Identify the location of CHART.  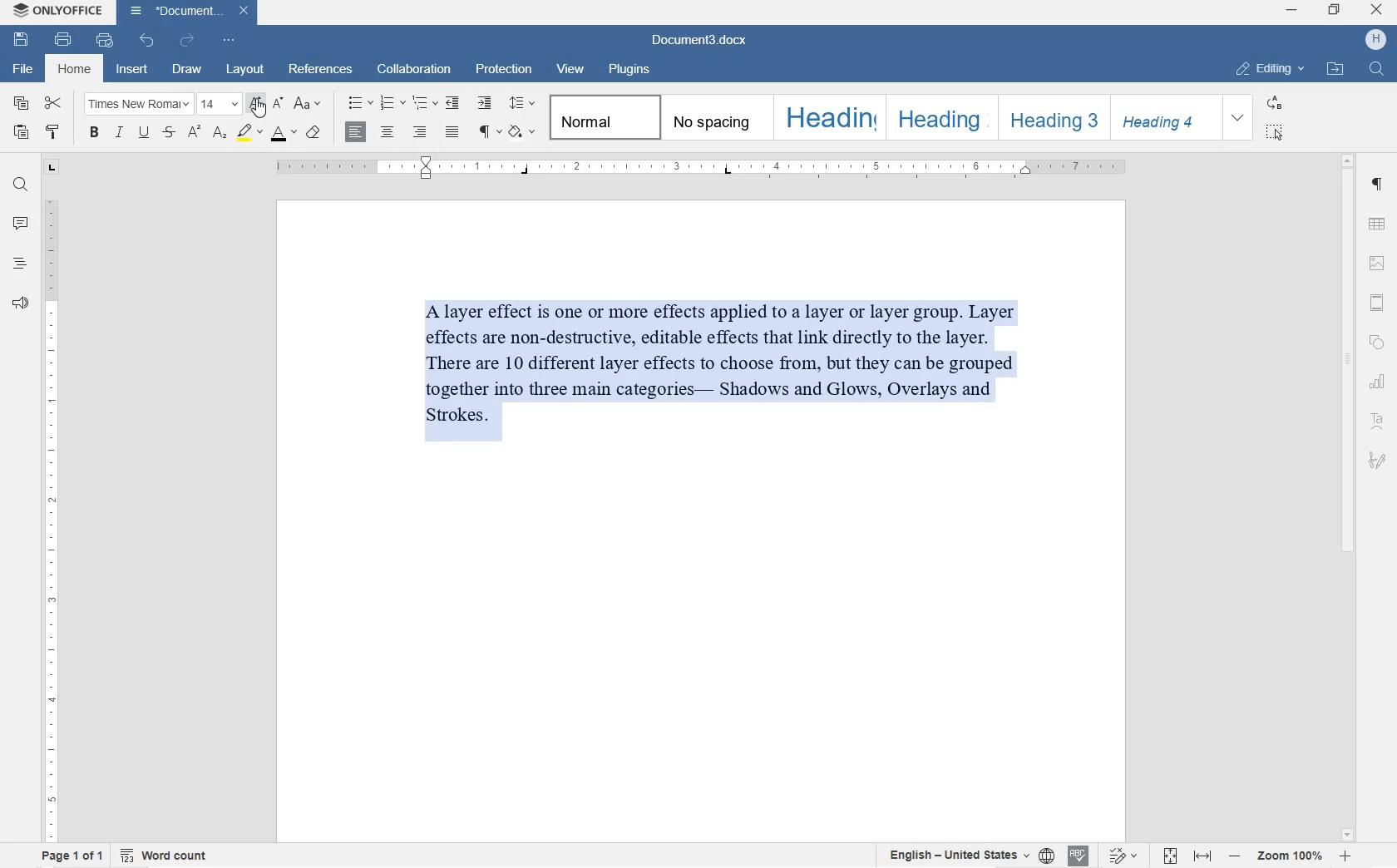
(1377, 379).